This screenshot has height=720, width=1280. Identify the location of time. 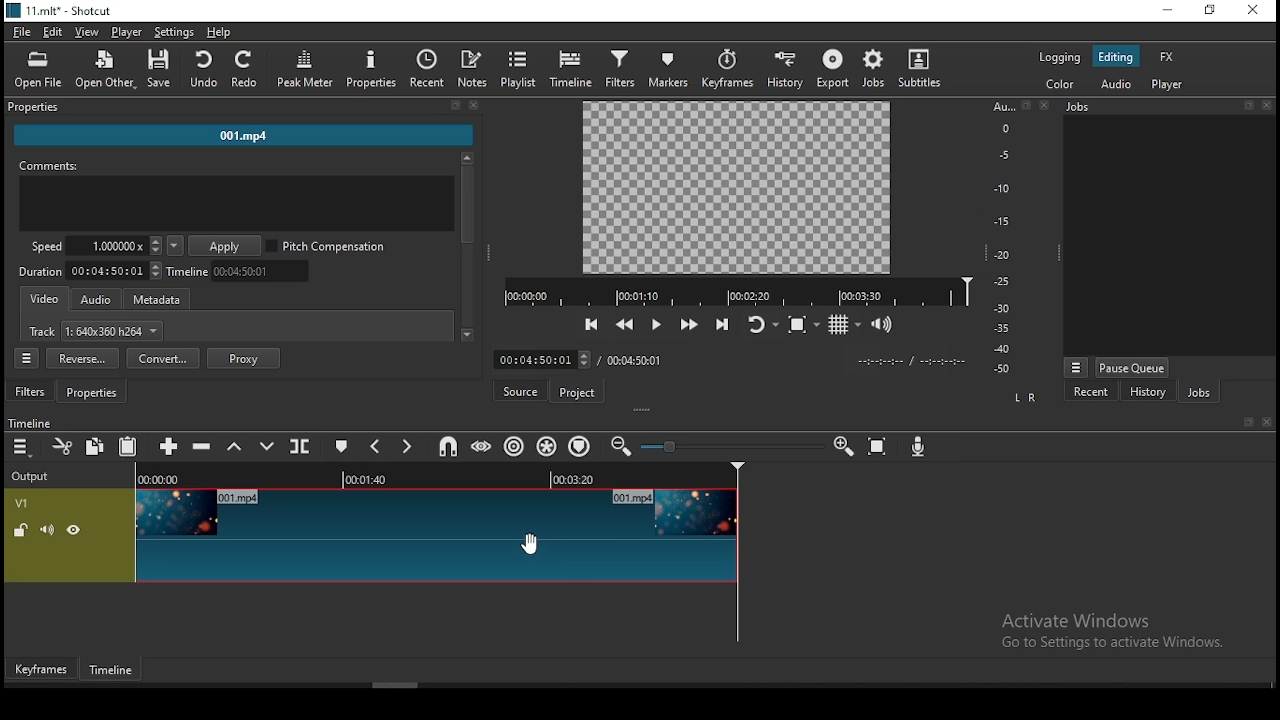
(909, 362).